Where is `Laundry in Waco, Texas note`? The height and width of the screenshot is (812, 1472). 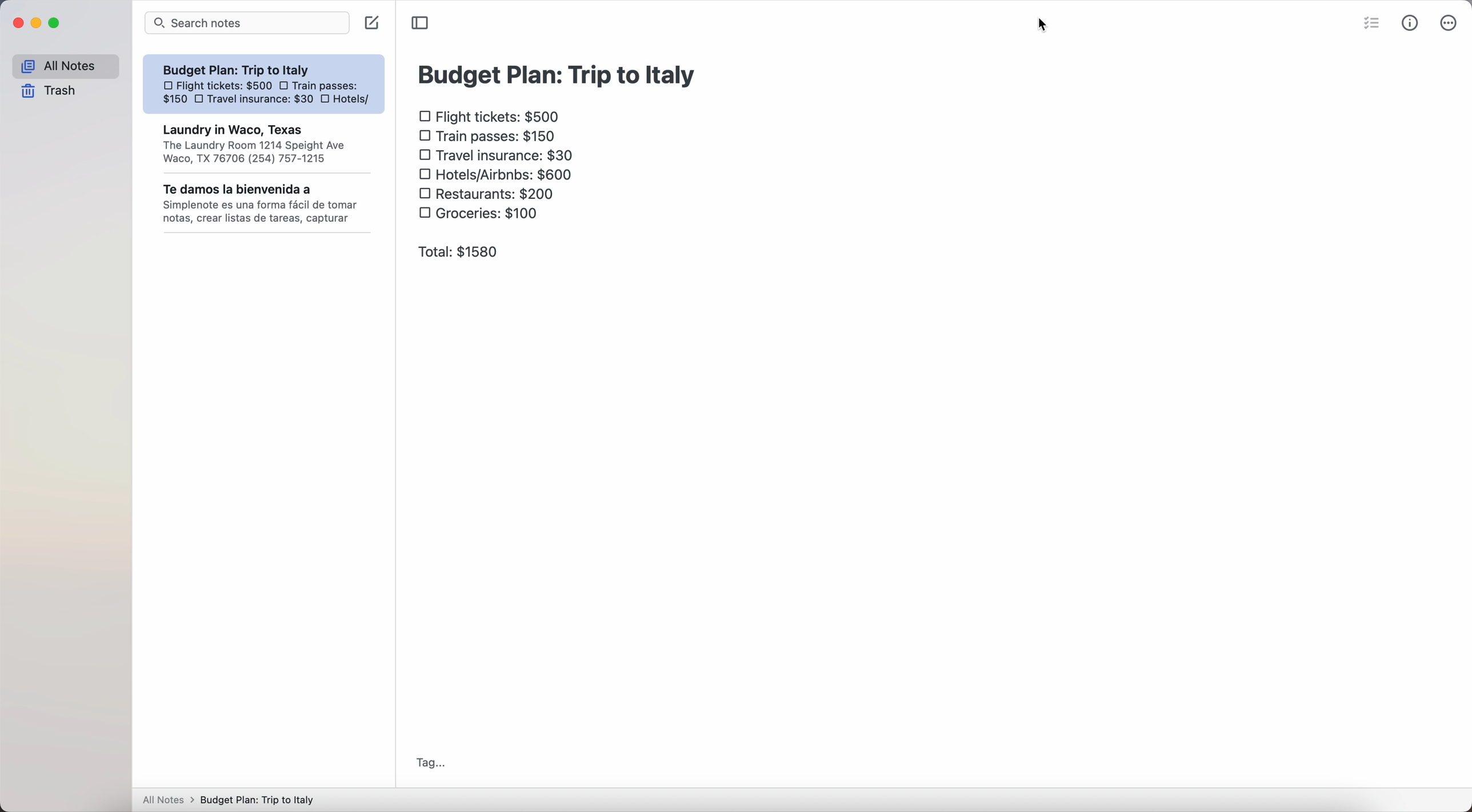
Laundry in Waco, Texas note is located at coordinates (265, 145).